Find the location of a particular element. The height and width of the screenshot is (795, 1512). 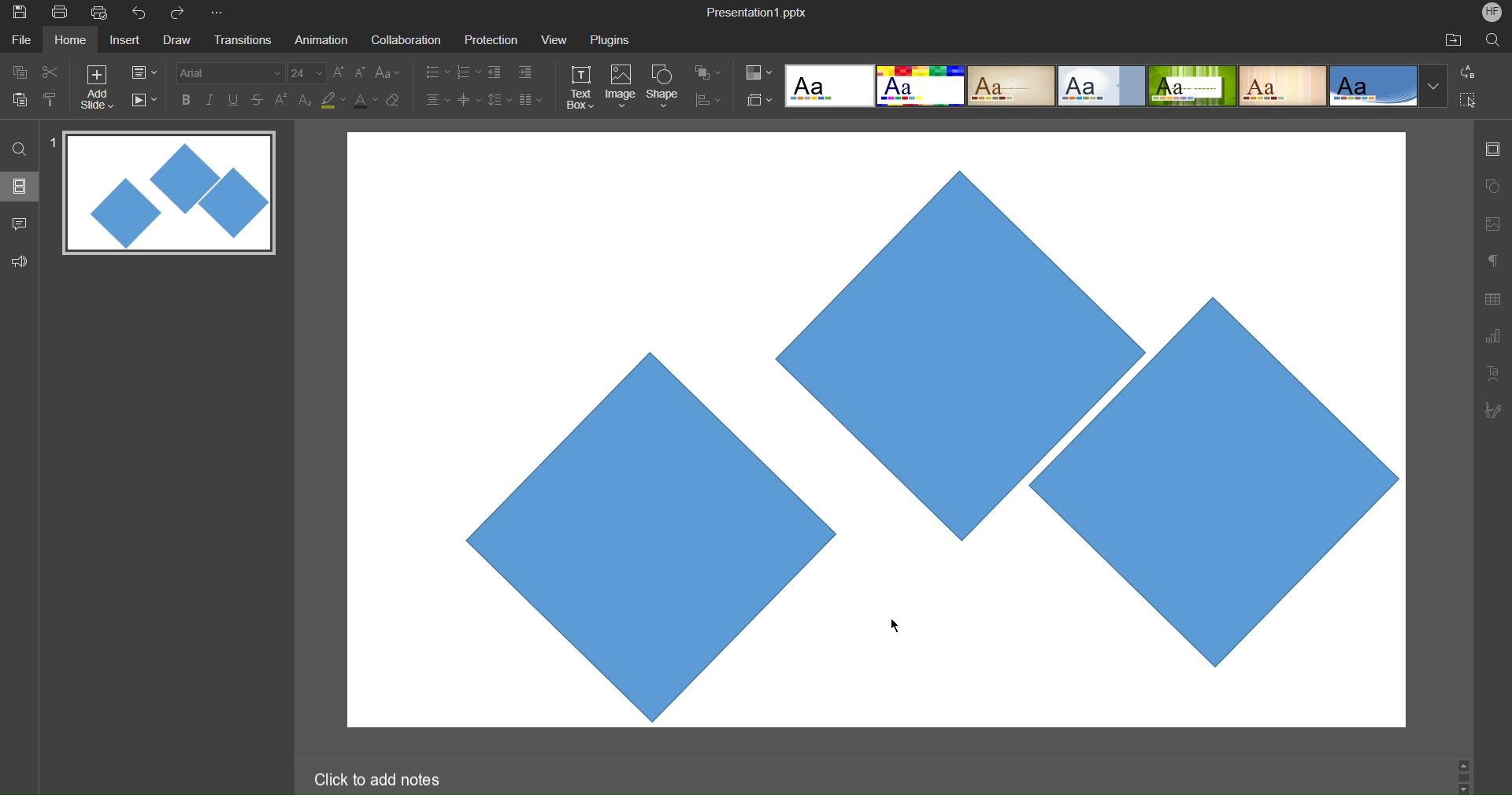

Redo is located at coordinates (183, 13).